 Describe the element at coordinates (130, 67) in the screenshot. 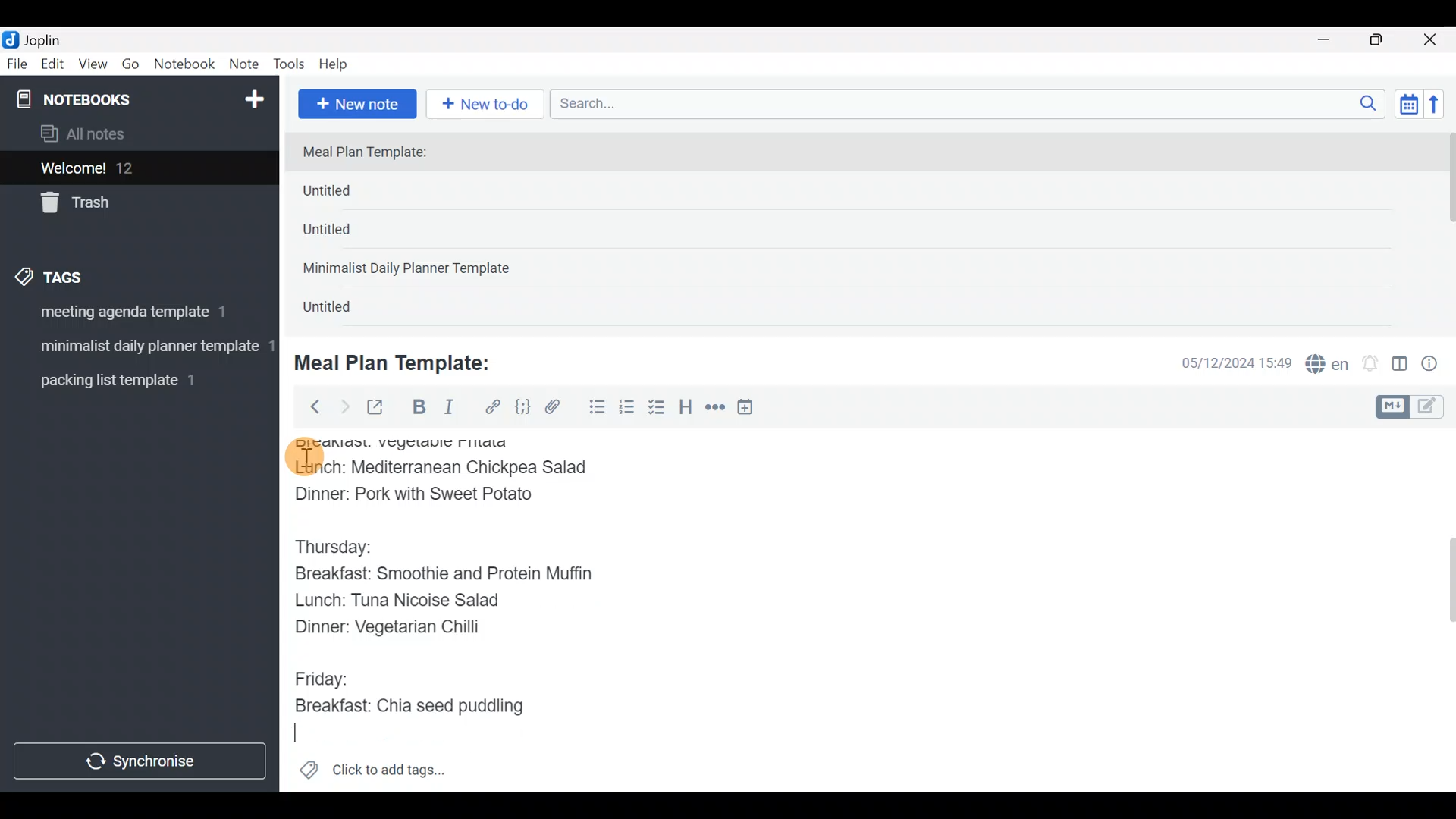

I see `Go` at that location.